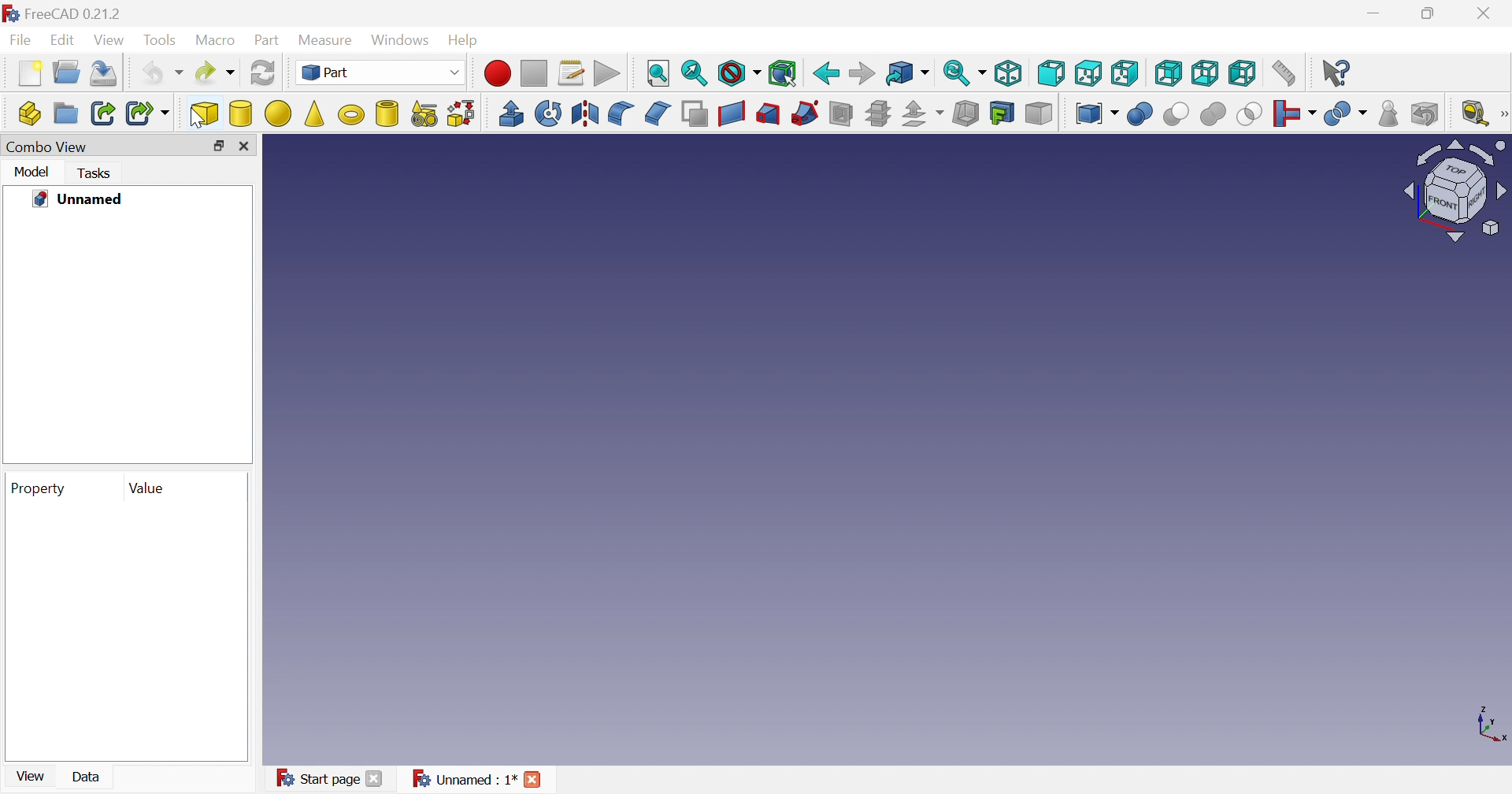 This screenshot has width=1512, height=794. What do you see at coordinates (462, 39) in the screenshot?
I see `Help` at bounding box center [462, 39].